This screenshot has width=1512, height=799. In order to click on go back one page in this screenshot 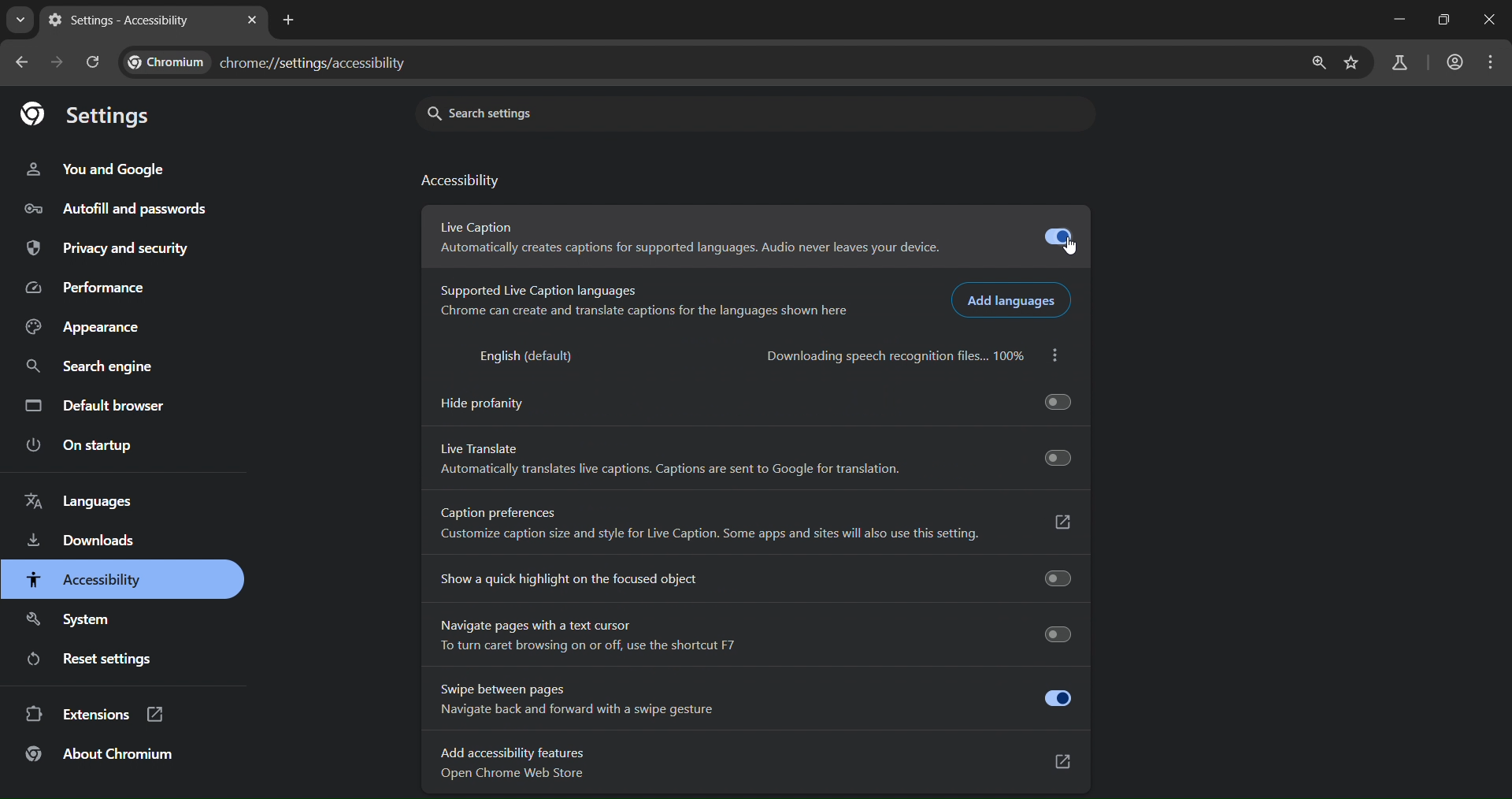, I will do `click(23, 63)`.